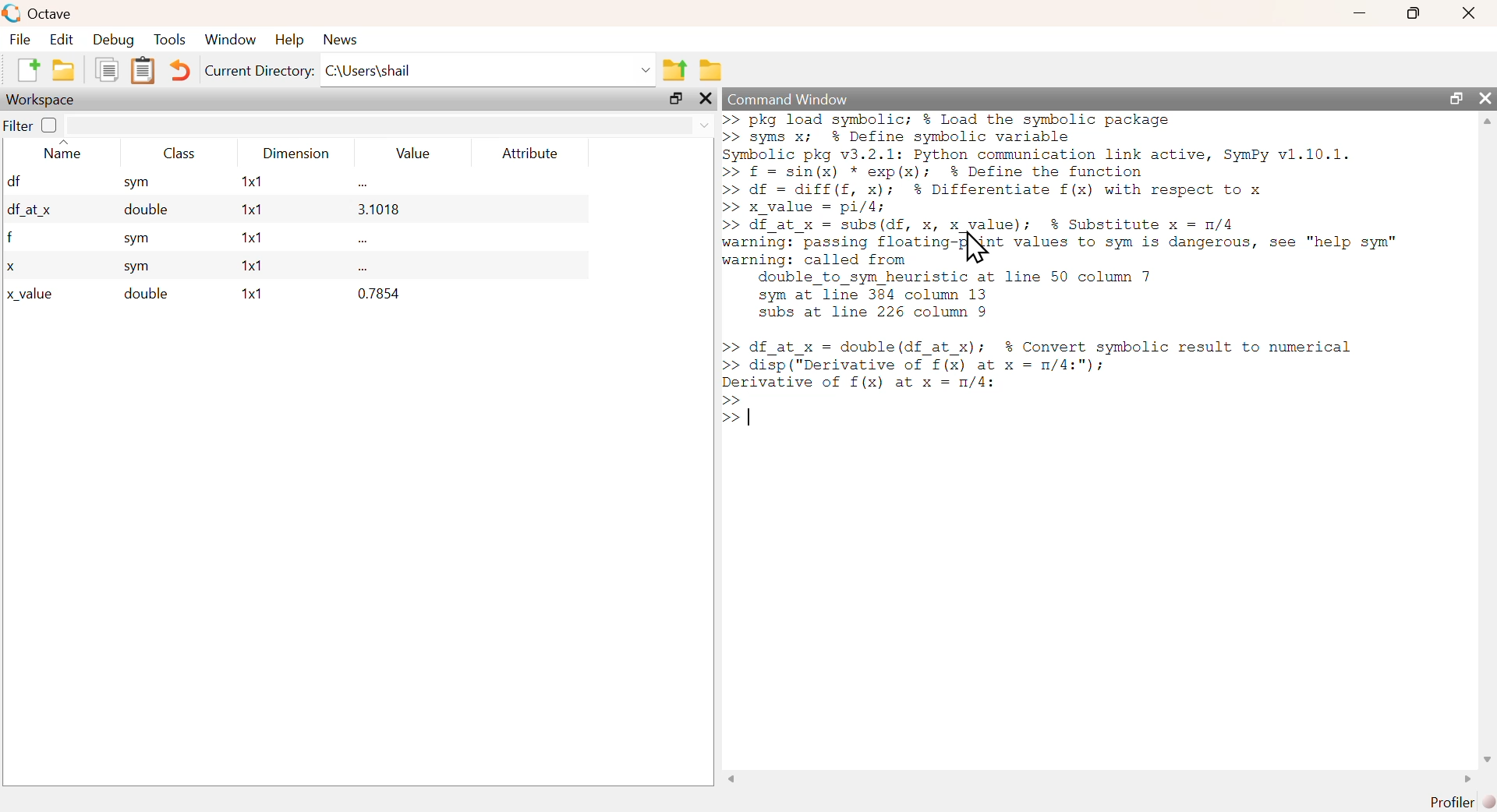 The image size is (1497, 812). I want to click on Paste, so click(143, 71).